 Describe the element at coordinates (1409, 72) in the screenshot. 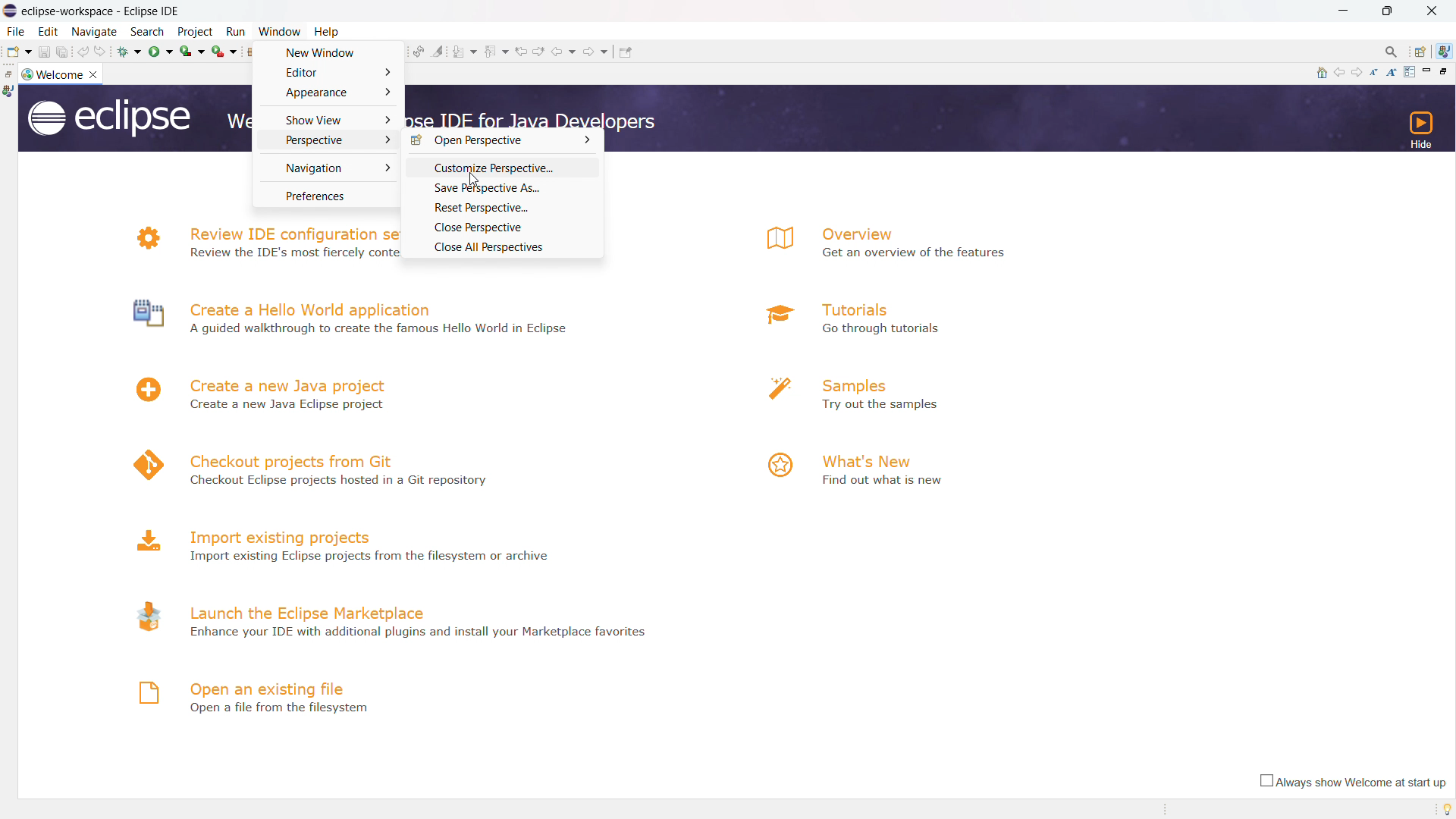

I see `customize page` at that location.